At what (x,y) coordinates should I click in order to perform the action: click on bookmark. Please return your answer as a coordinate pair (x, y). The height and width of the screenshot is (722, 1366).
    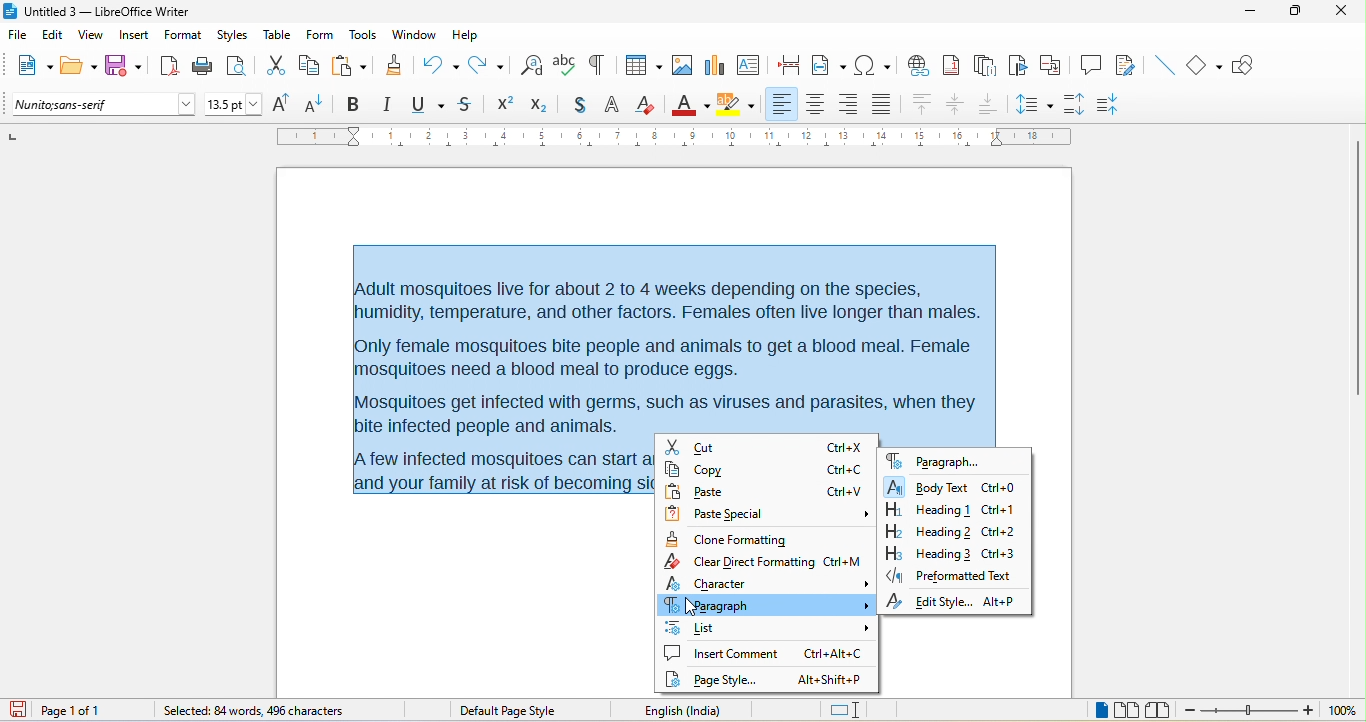
    Looking at the image, I should click on (1020, 66).